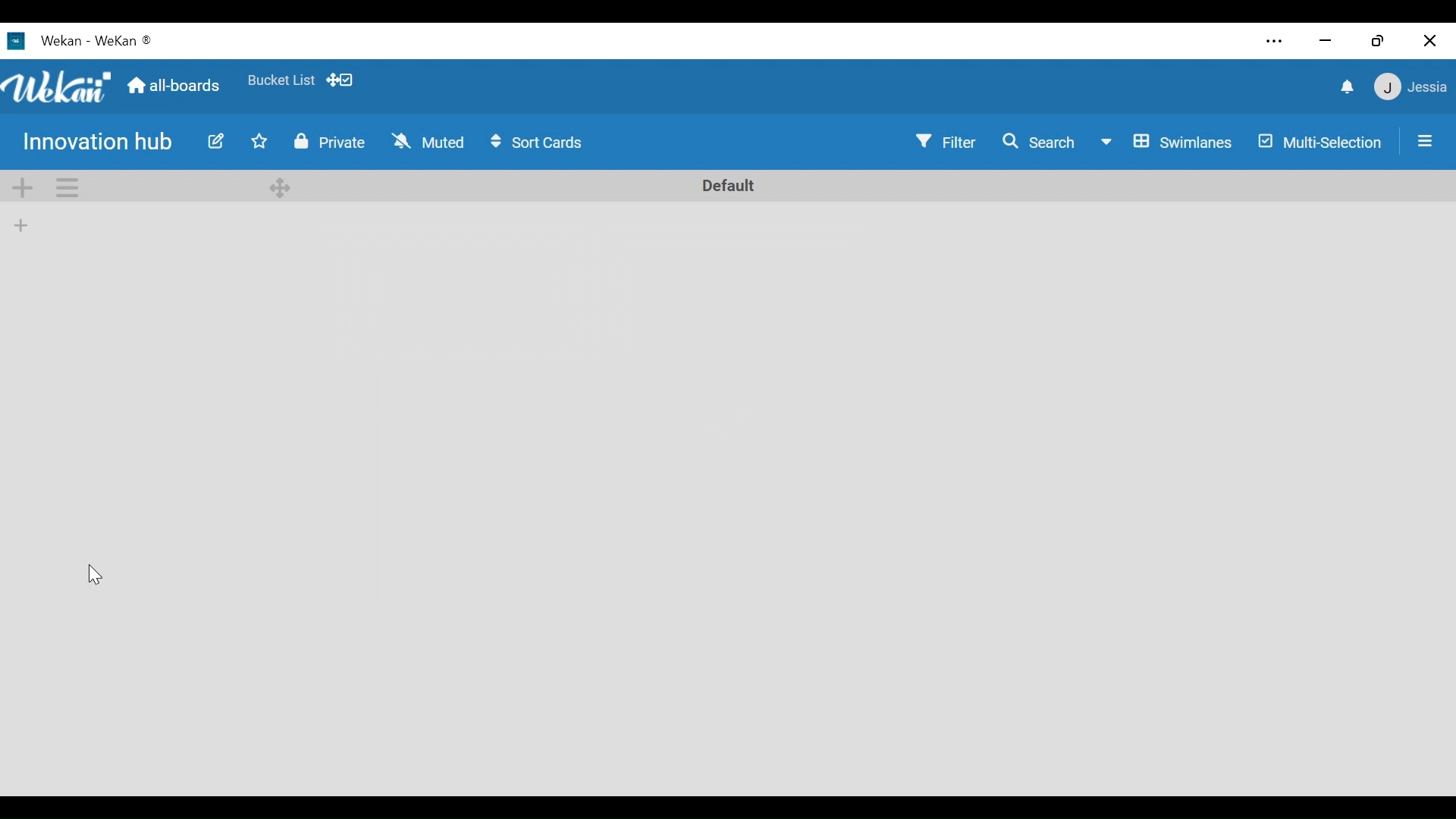  I want to click on Close, so click(1429, 40).